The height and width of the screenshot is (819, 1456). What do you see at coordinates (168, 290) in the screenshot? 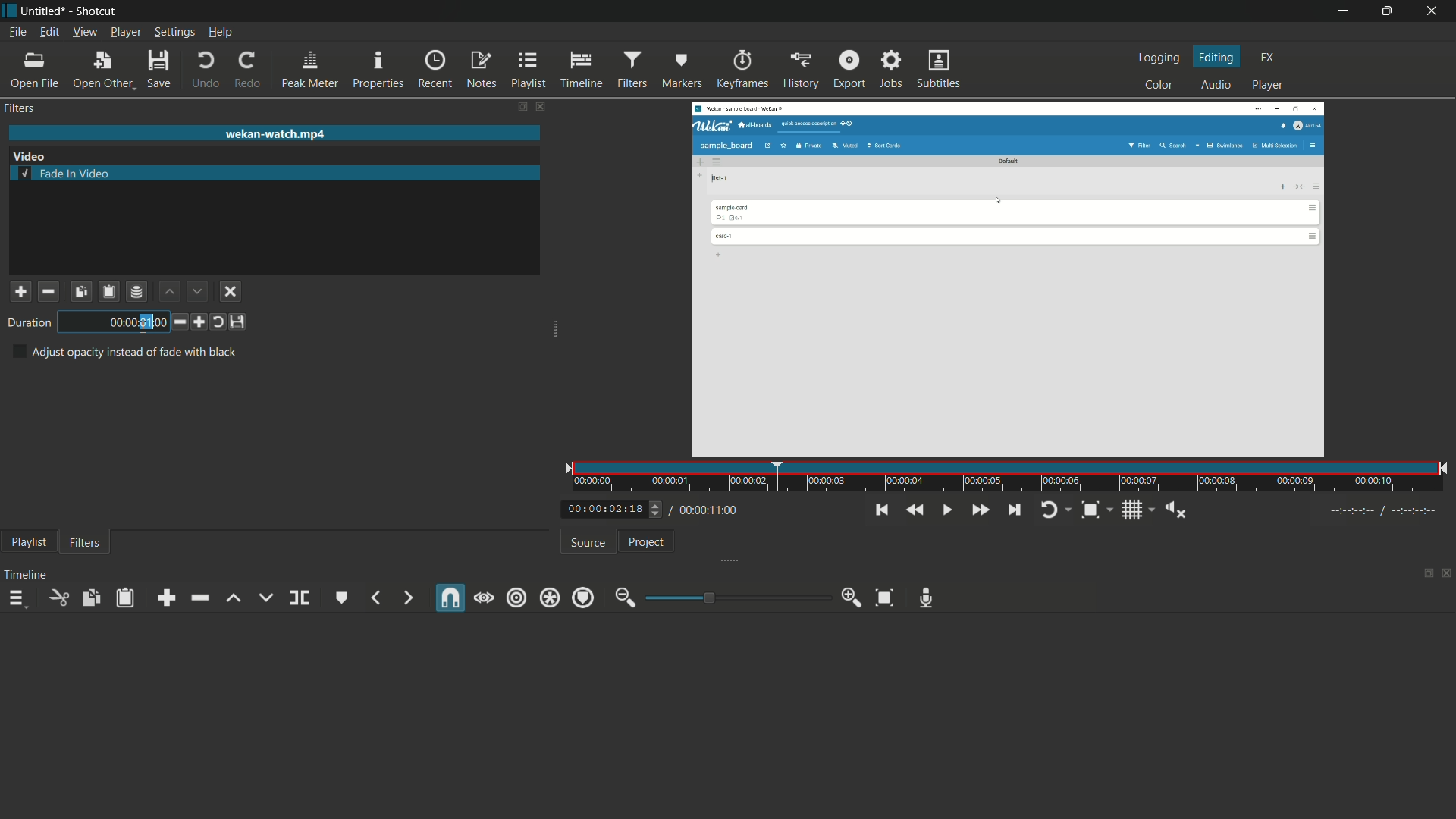
I see `move filter up` at bounding box center [168, 290].